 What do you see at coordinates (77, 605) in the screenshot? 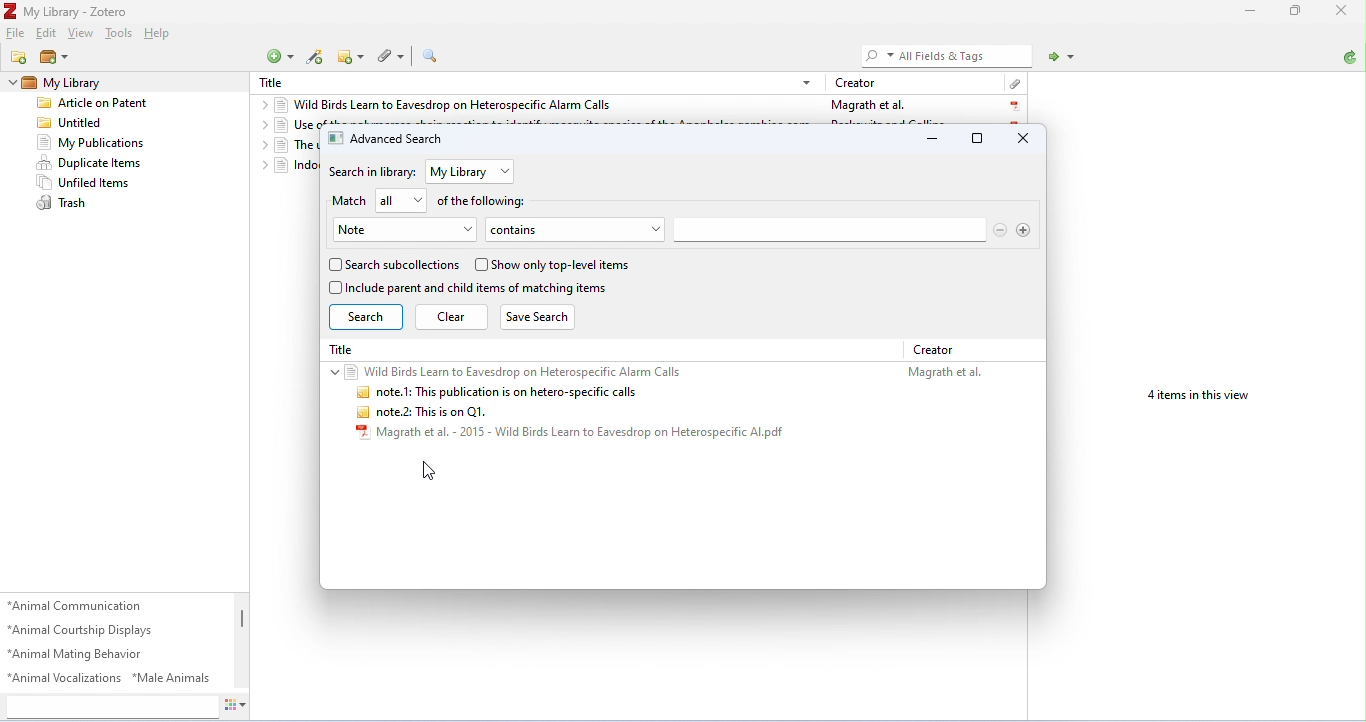
I see `animal communication` at bounding box center [77, 605].